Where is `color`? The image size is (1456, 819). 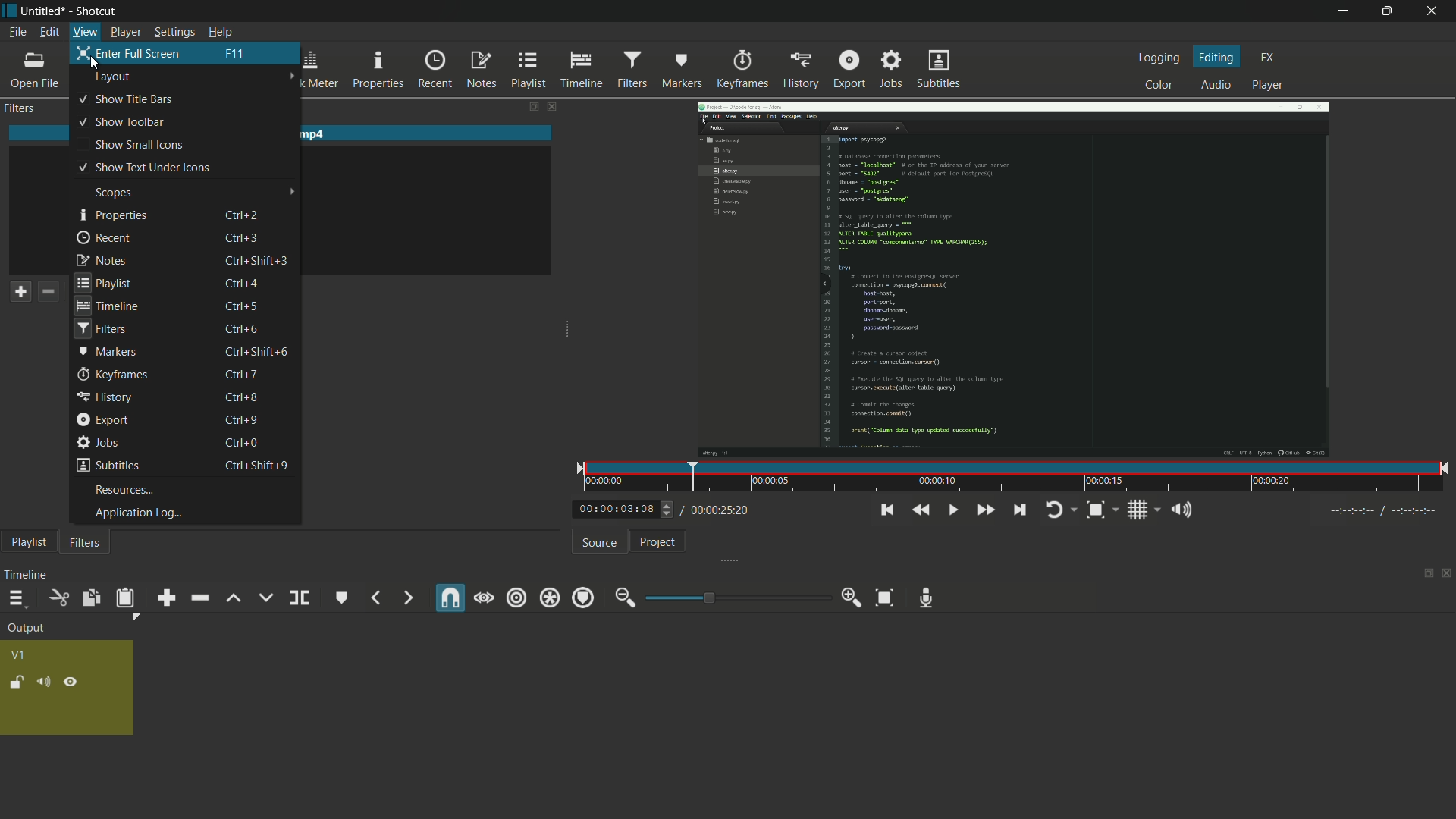
color is located at coordinates (1157, 86).